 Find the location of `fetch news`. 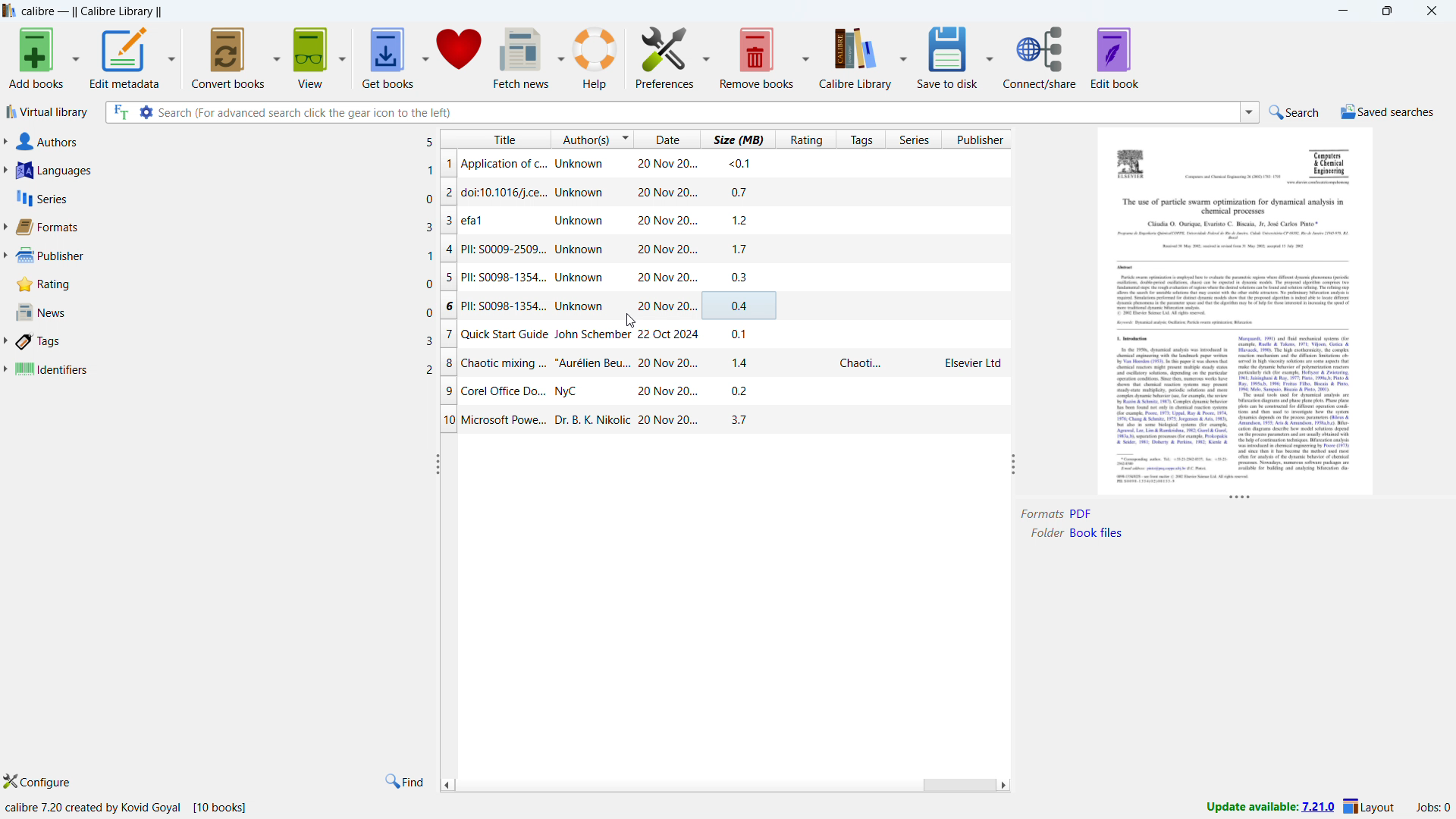

fetch news is located at coordinates (522, 57).